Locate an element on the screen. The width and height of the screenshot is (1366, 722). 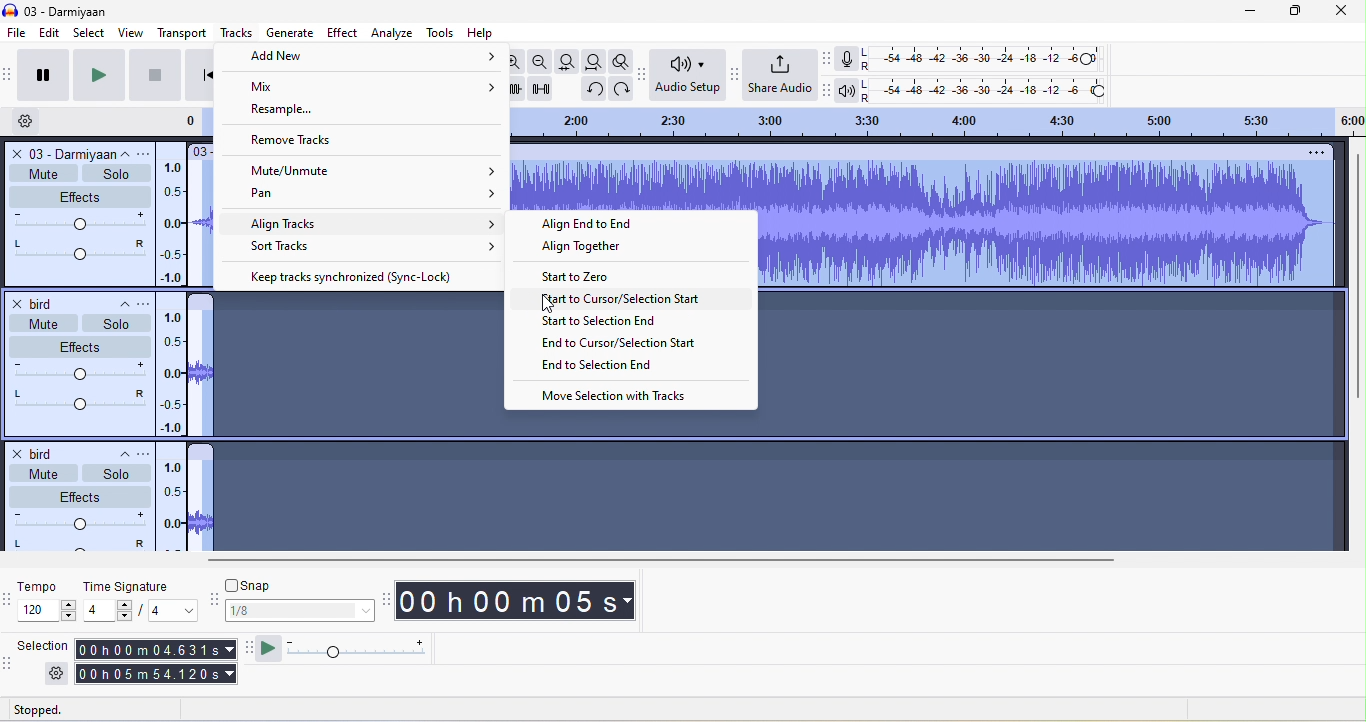
audacity snapping toolbar is located at coordinates (210, 602).